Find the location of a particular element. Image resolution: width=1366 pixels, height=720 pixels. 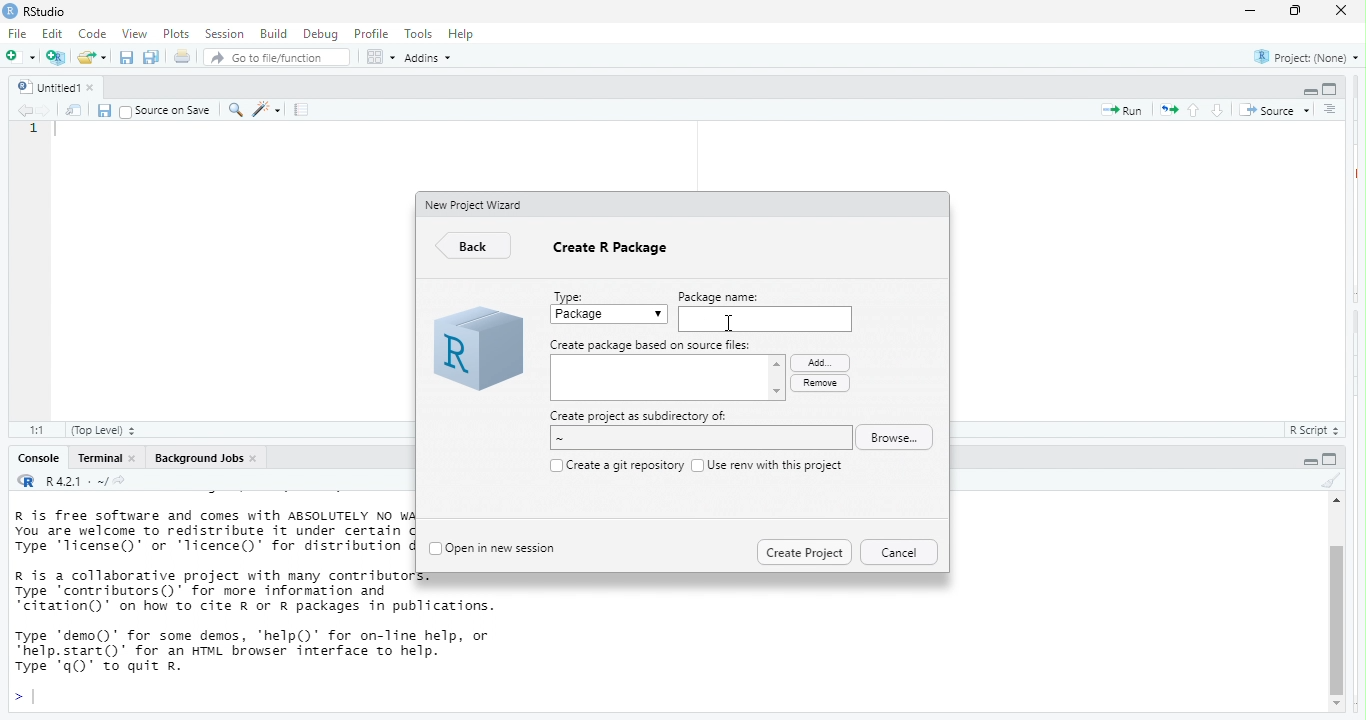

close is located at coordinates (1343, 13).